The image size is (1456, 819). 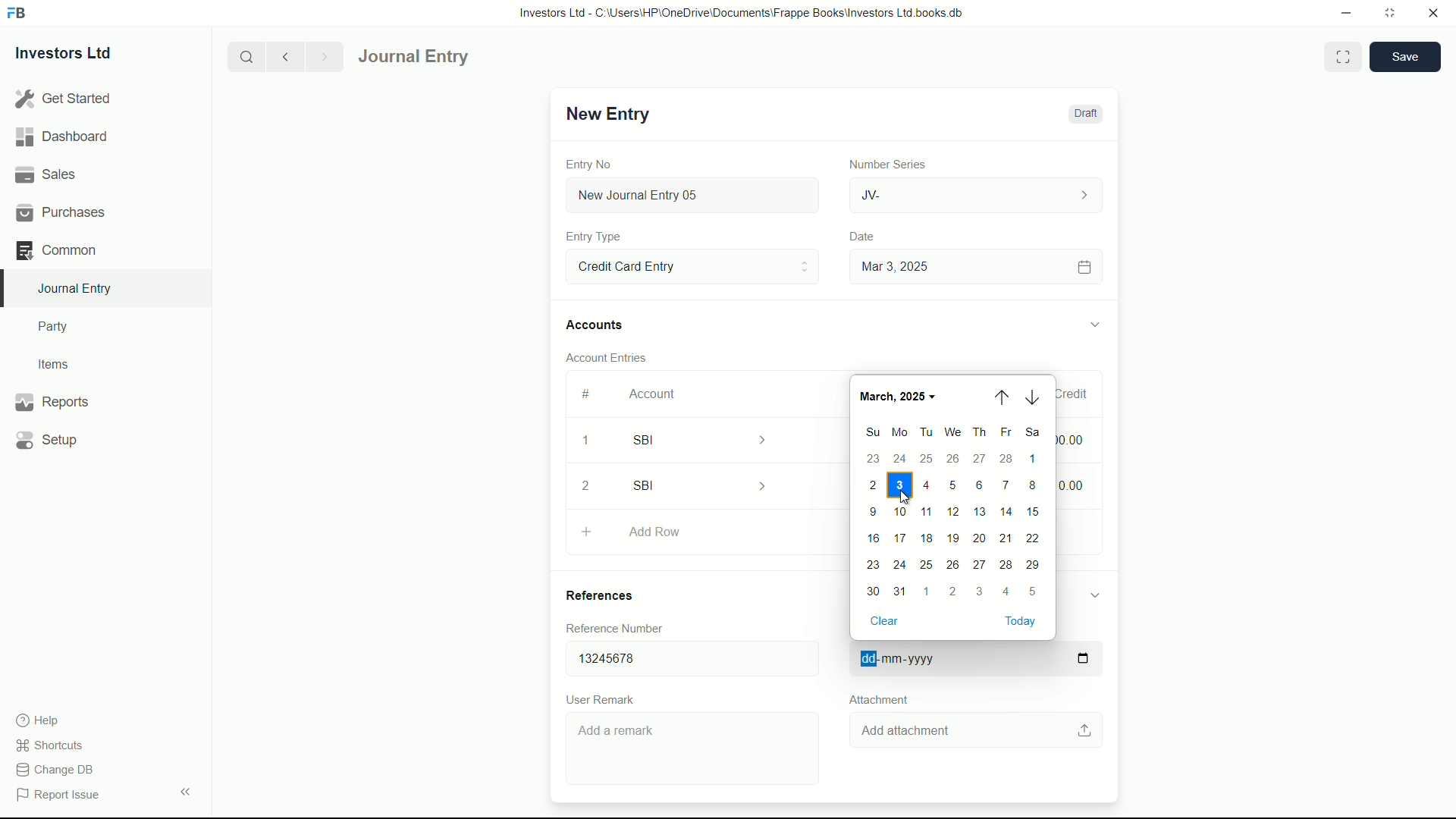 What do you see at coordinates (614, 595) in the screenshot?
I see `References` at bounding box center [614, 595].